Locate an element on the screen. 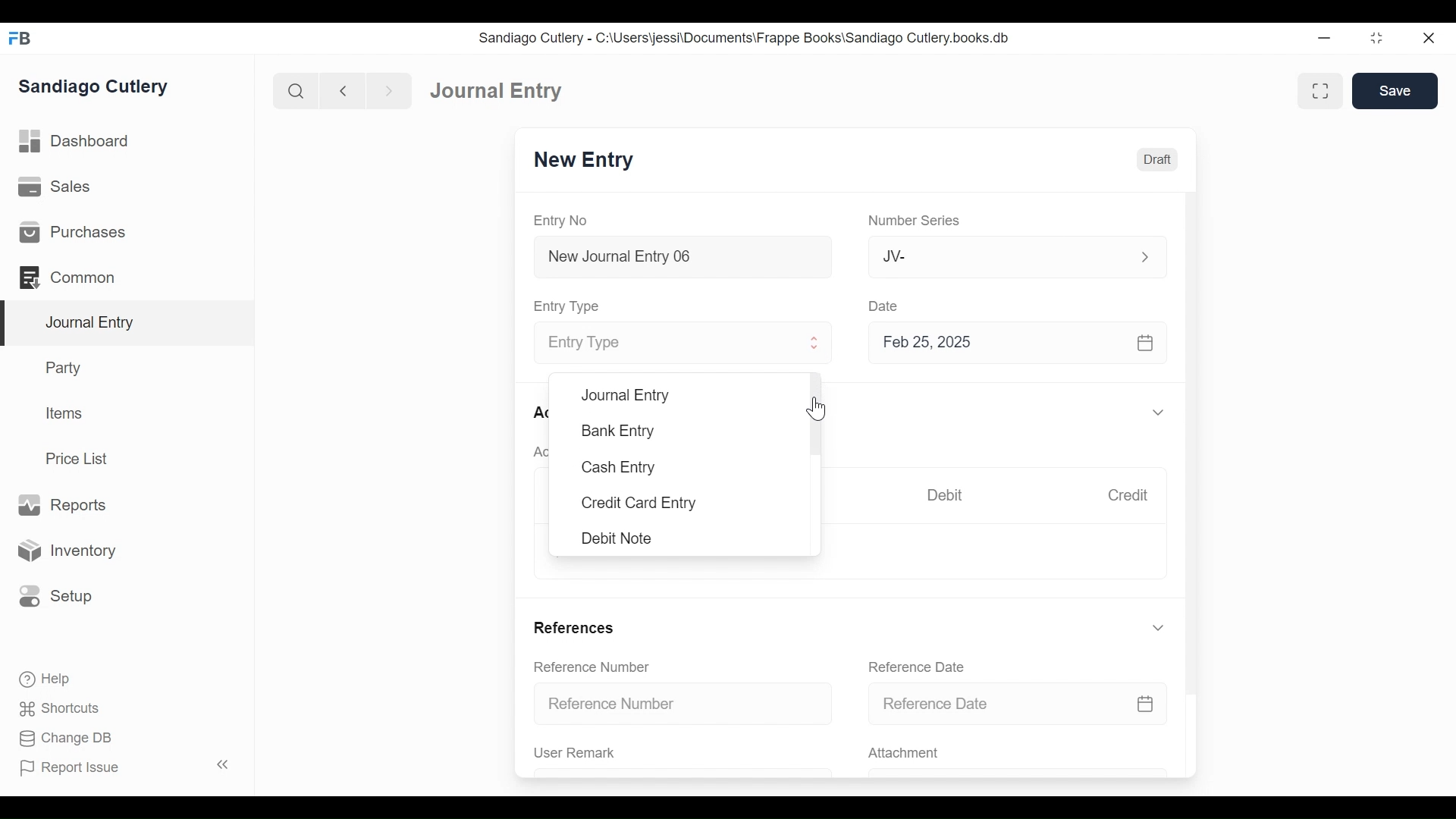 The image size is (1456, 819). Vertical Scroll bar is located at coordinates (816, 412).